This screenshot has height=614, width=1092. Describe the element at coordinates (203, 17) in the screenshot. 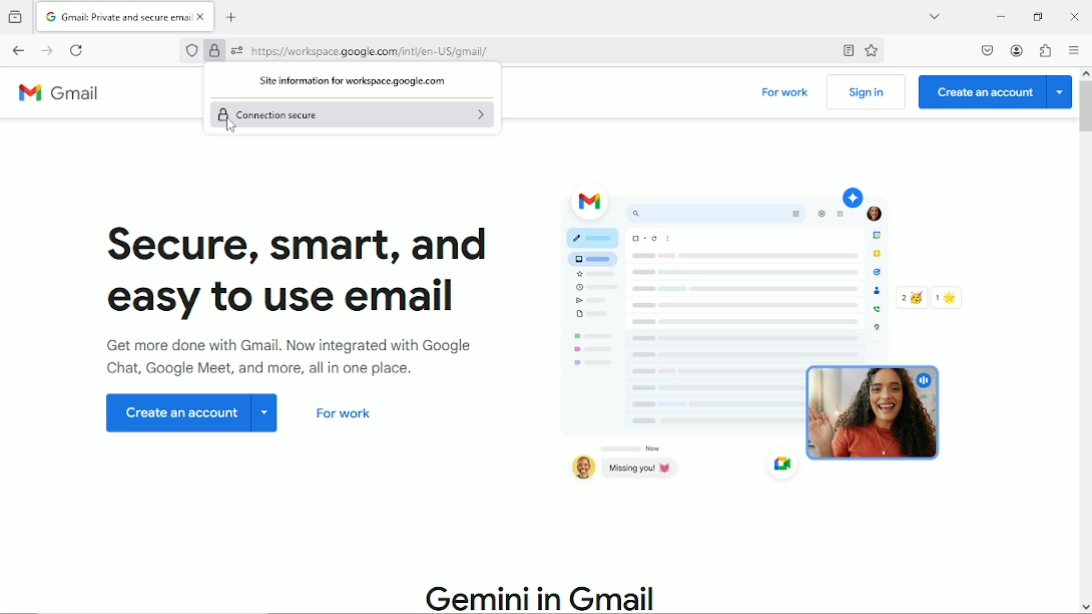

I see `close currrent tab` at that location.